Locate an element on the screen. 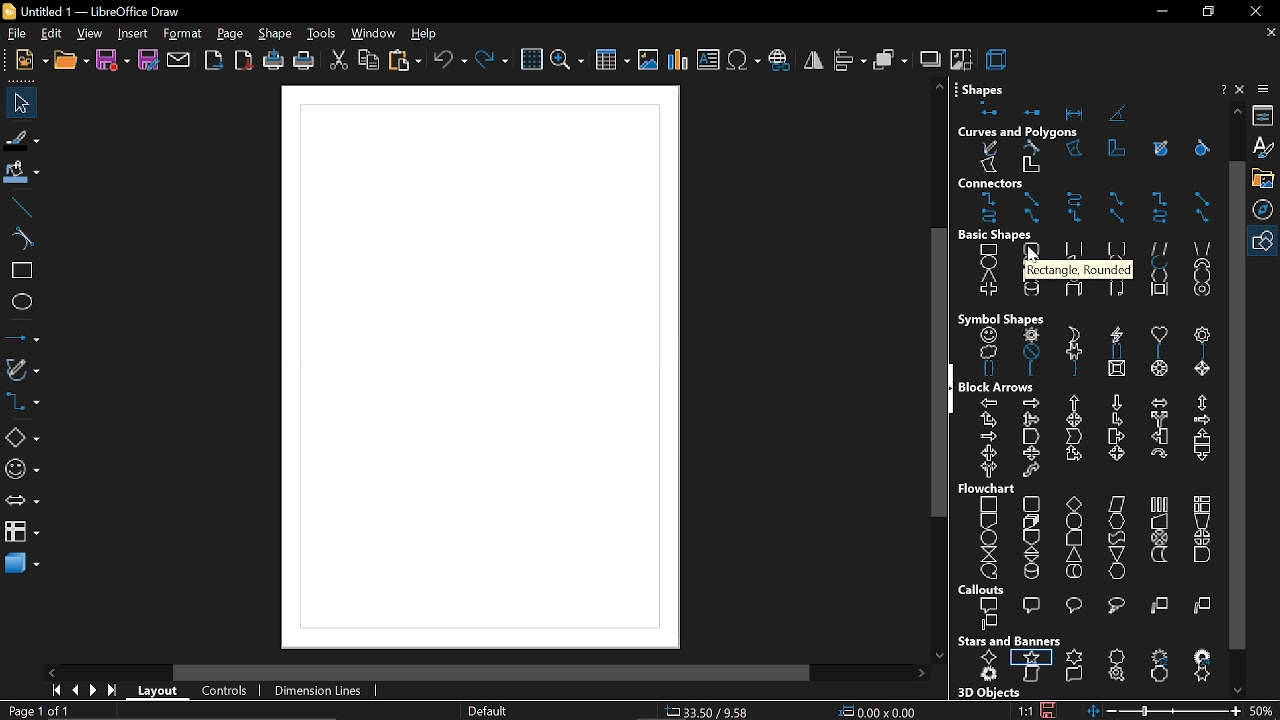  fill line is located at coordinates (22, 141).